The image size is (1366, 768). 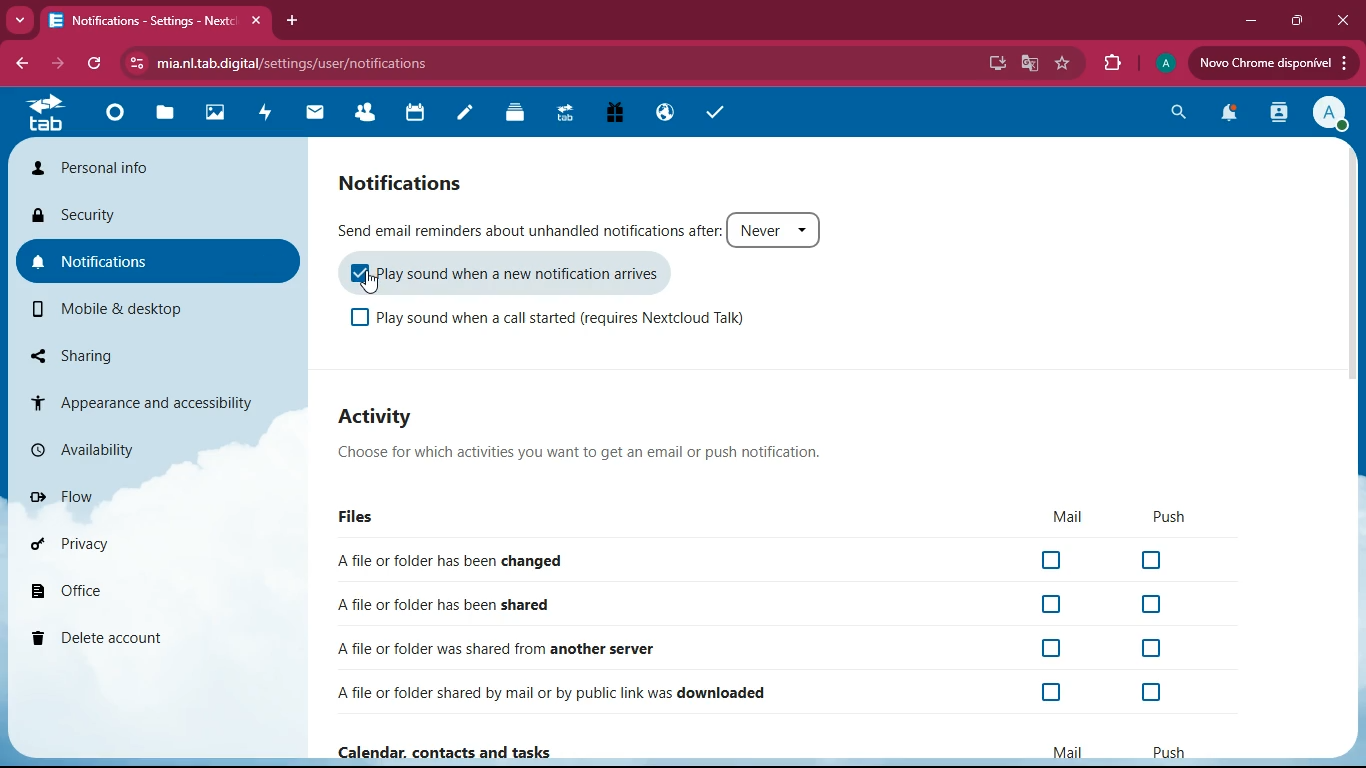 I want to click on url, so click(x=306, y=62).